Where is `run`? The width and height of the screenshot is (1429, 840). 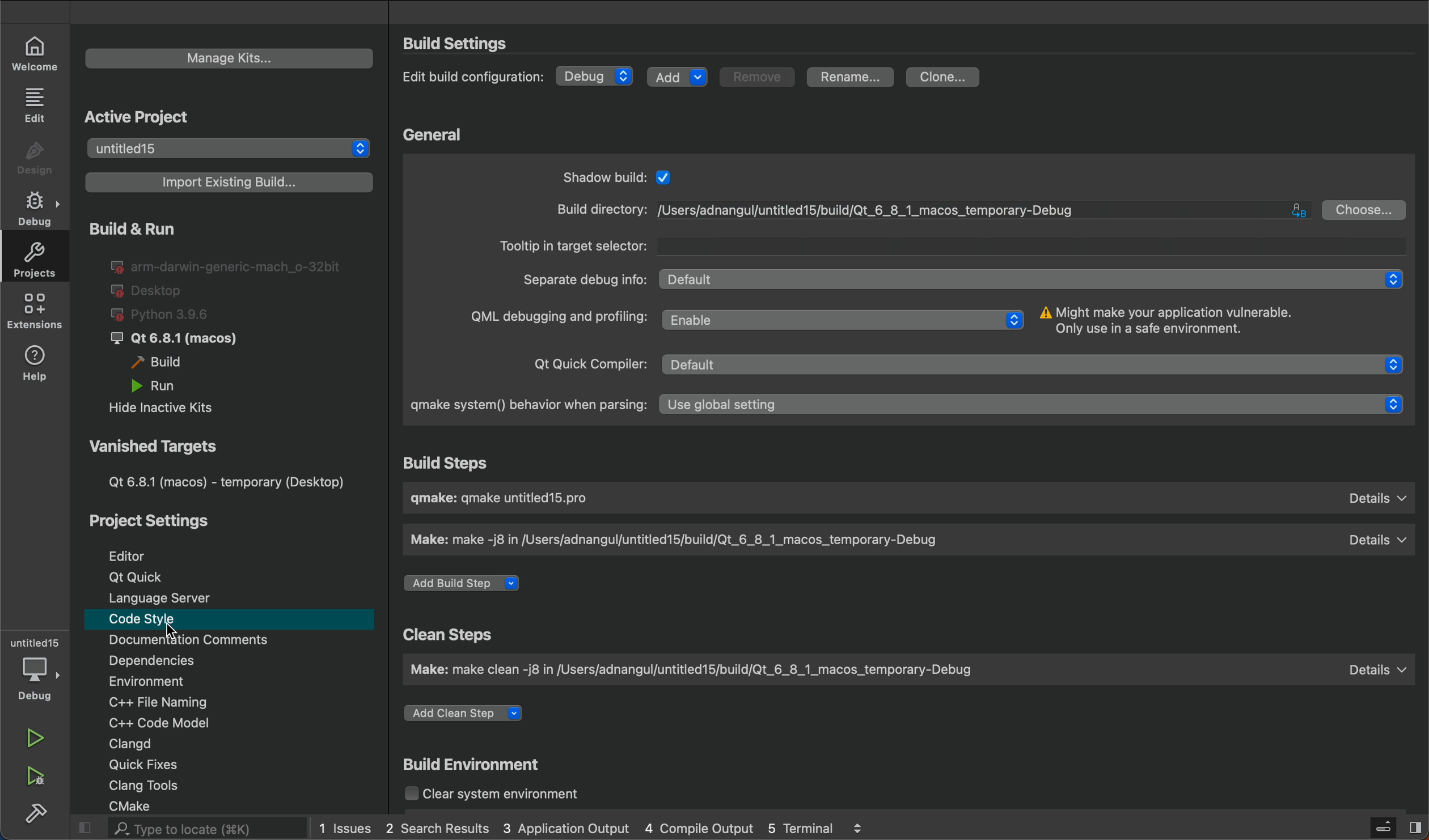 run is located at coordinates (36, 740).